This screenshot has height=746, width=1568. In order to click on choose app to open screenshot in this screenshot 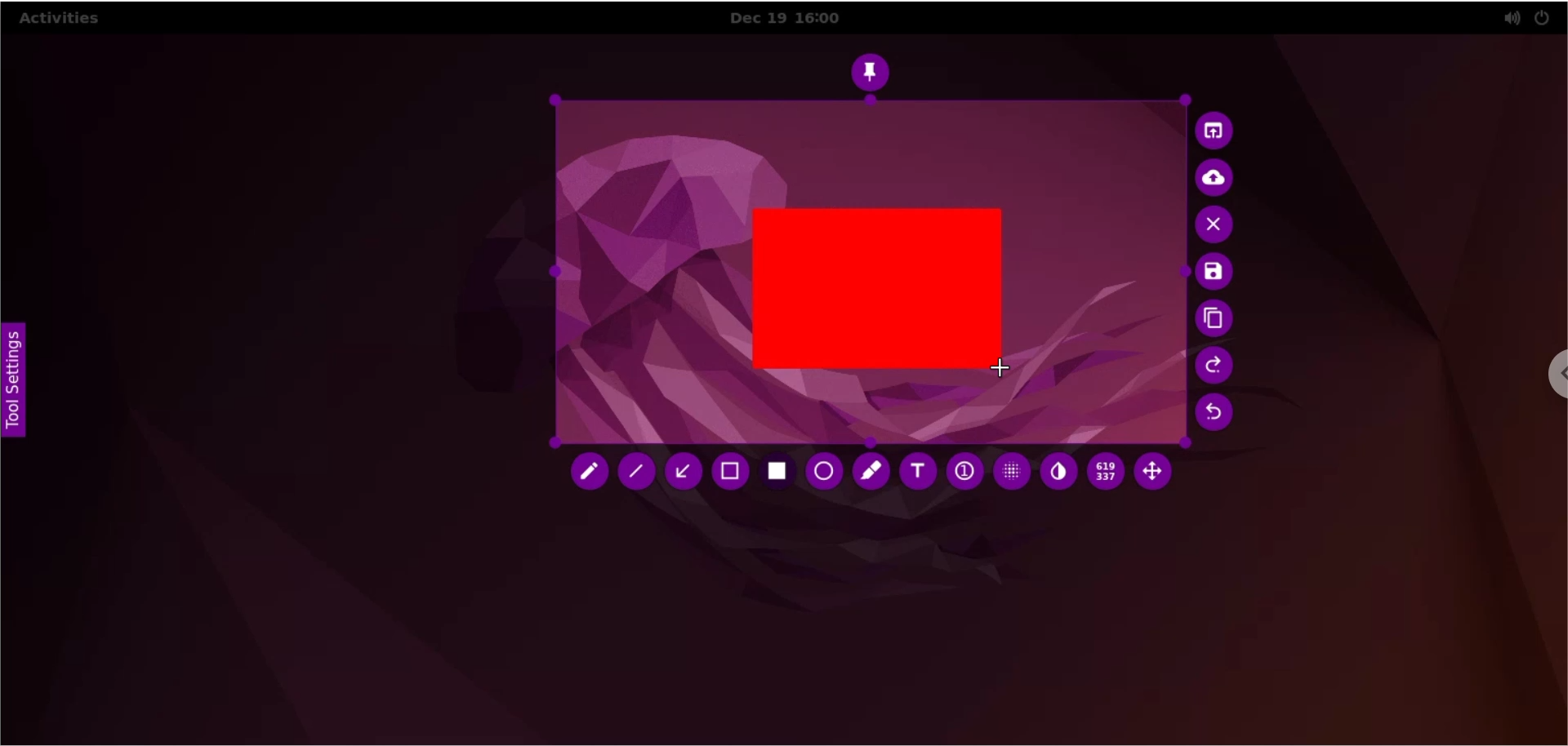, I will do `click(1216, 131)`.